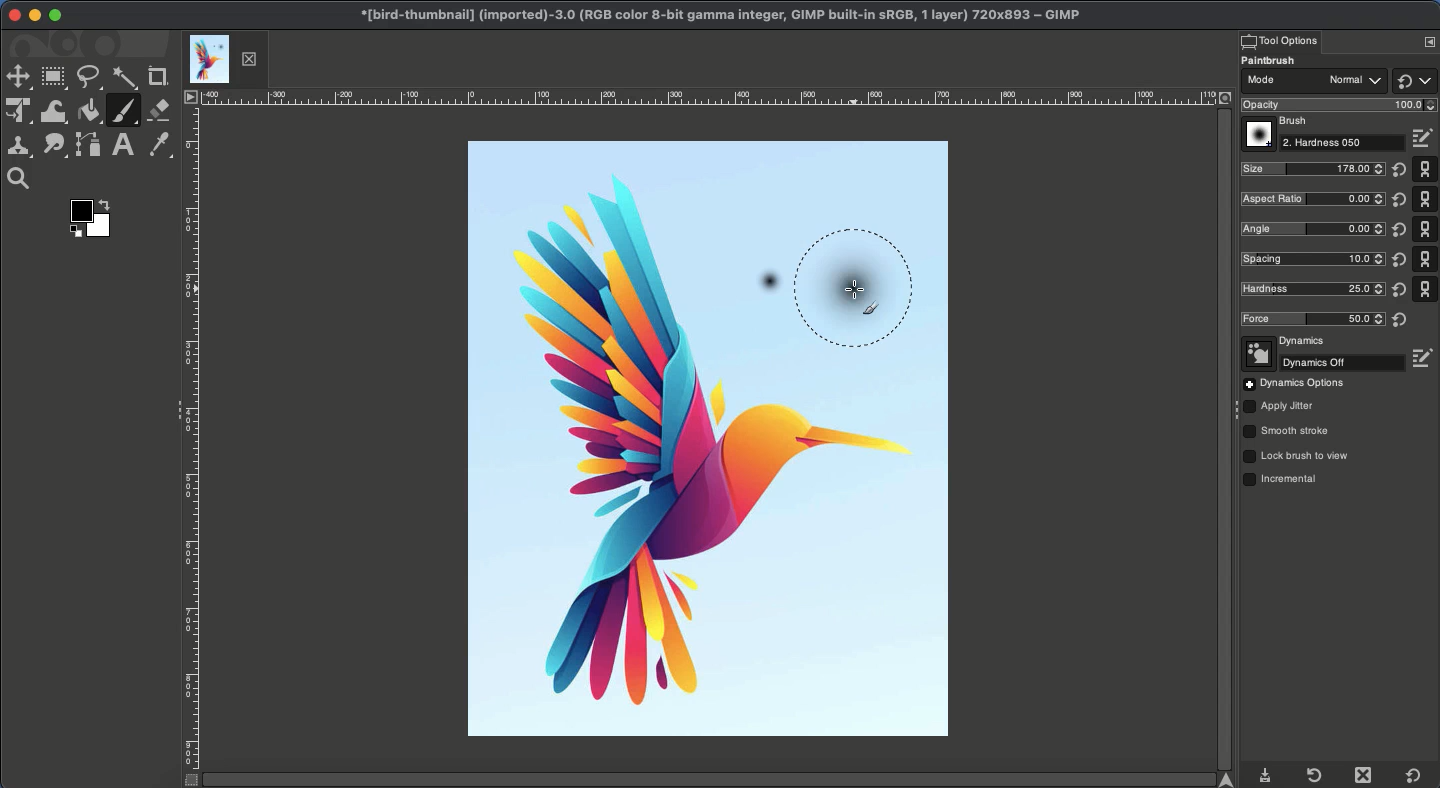 Image resolution: width=1440 pixels, height=788 pixels. Describe the element at coordinates (1312, 290) in the screenshot. I see `New hardness` at that location.